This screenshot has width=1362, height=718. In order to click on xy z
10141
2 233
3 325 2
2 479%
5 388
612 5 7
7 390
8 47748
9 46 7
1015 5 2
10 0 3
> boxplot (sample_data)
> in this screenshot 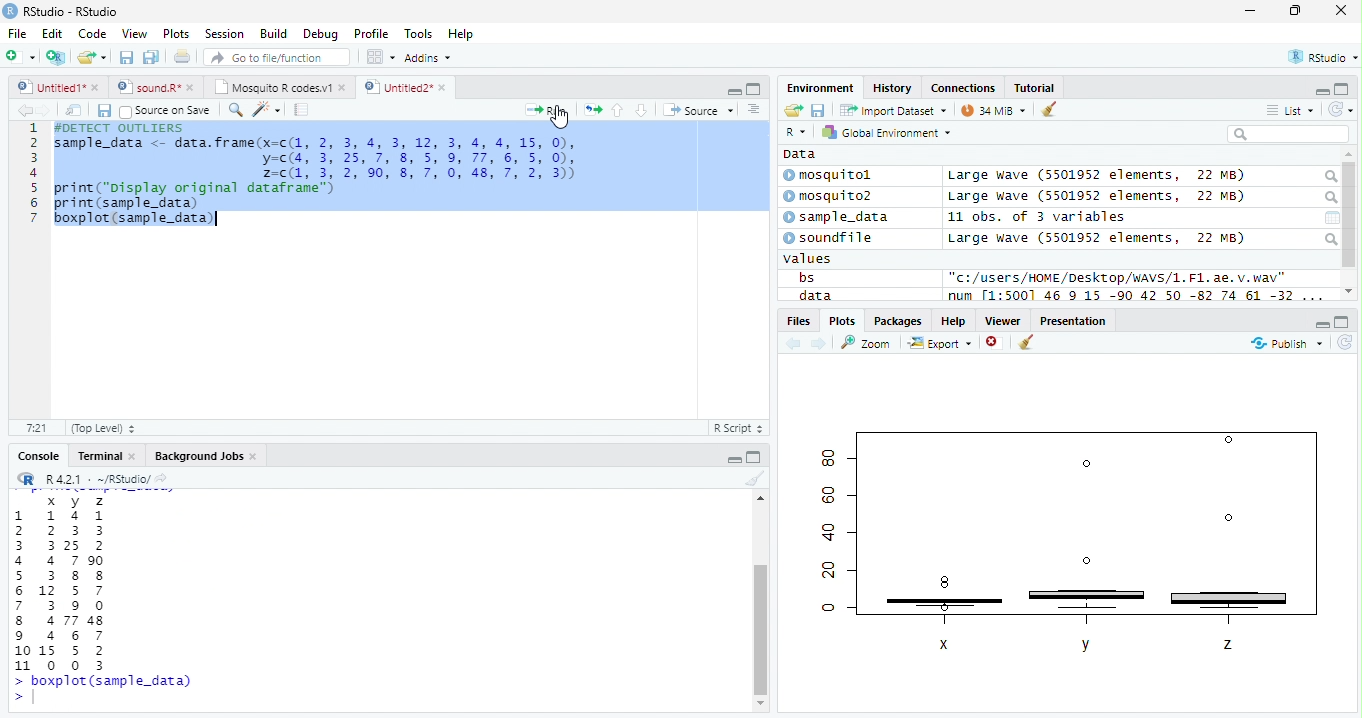, I will do `click(103, 599)`.